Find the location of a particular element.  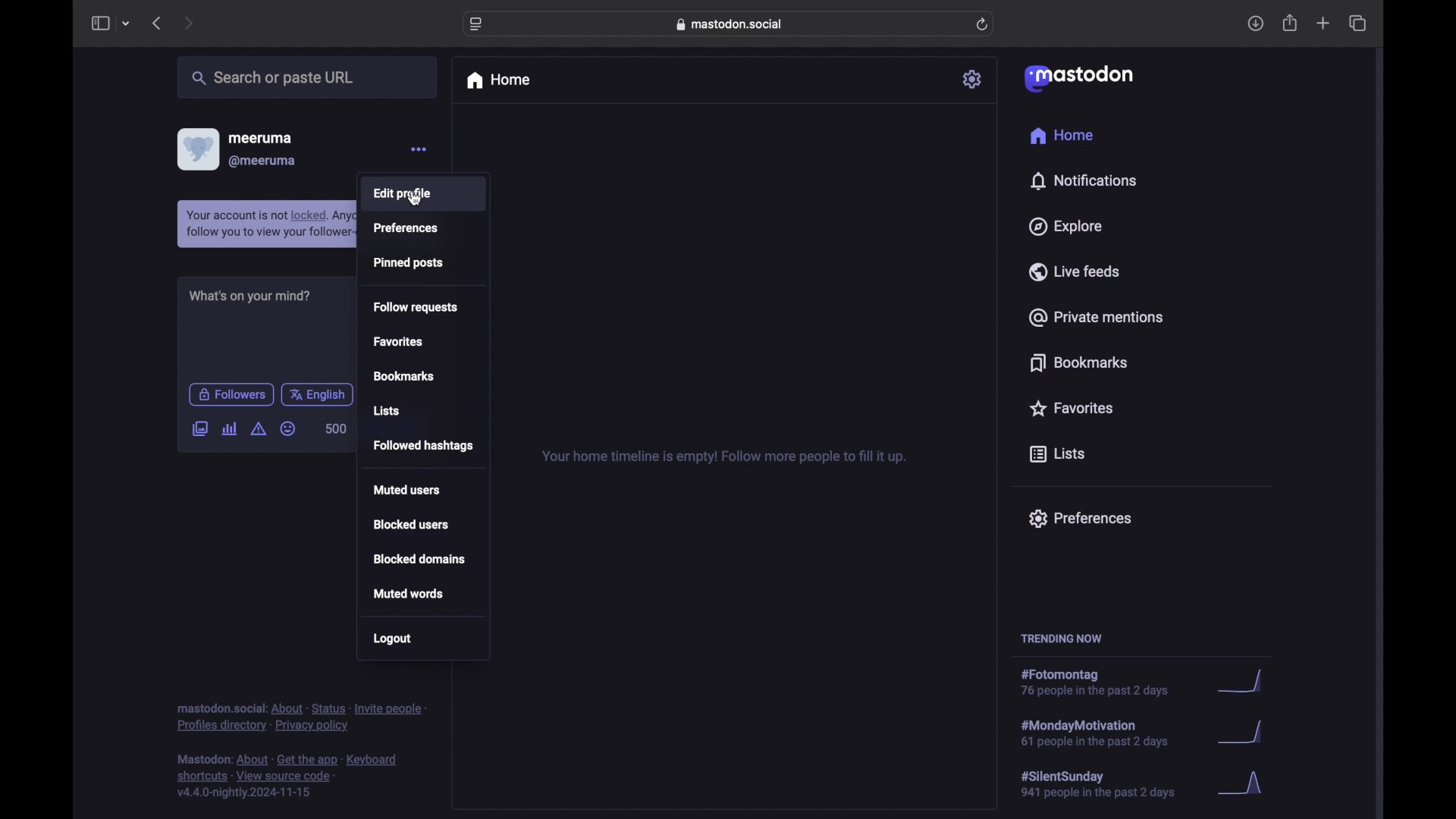

sidebar is located at coordinates (99, 24).